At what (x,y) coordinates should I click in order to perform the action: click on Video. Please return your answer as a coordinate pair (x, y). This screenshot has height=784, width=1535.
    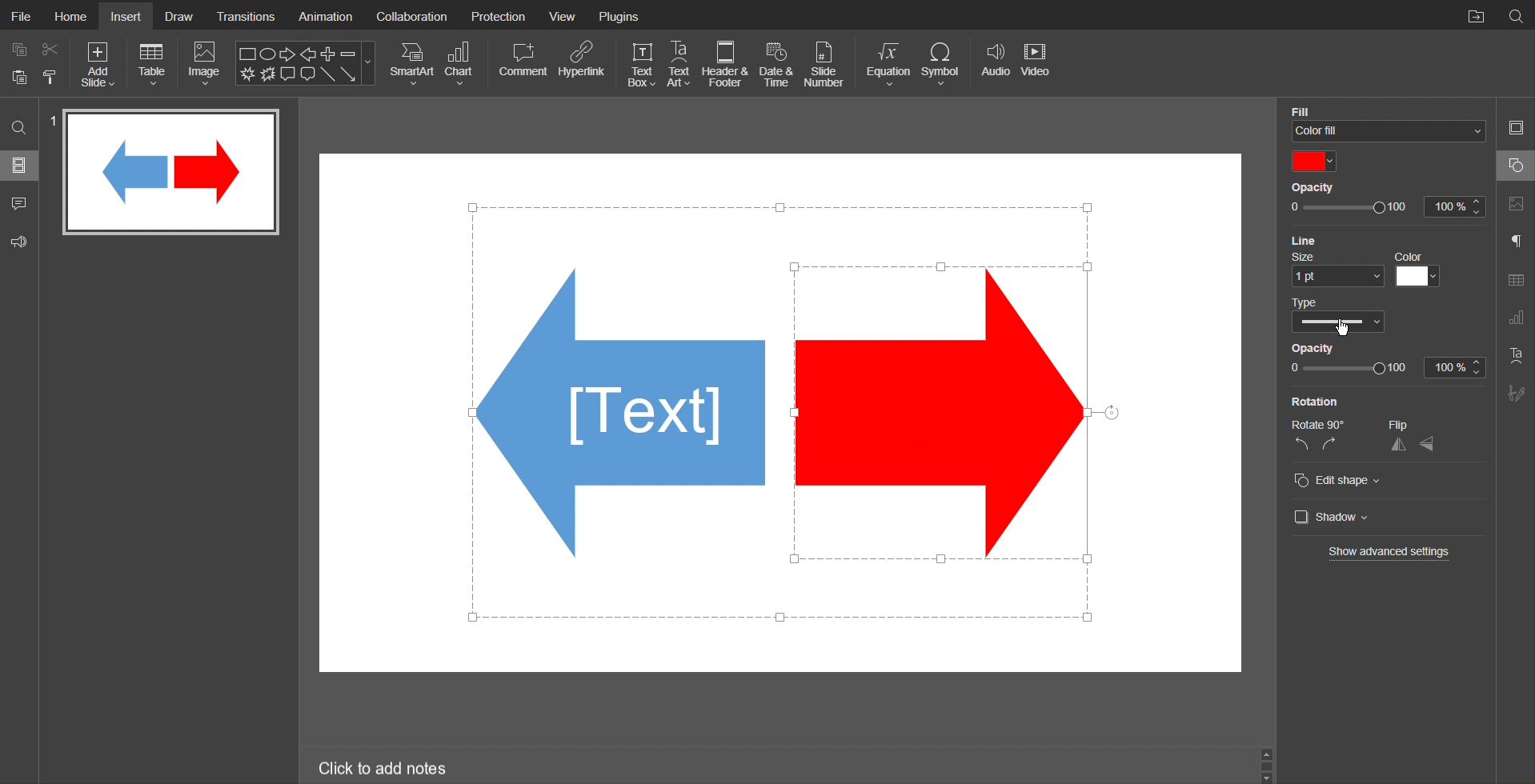
    Looking at the image, I should click on (1038, 64).